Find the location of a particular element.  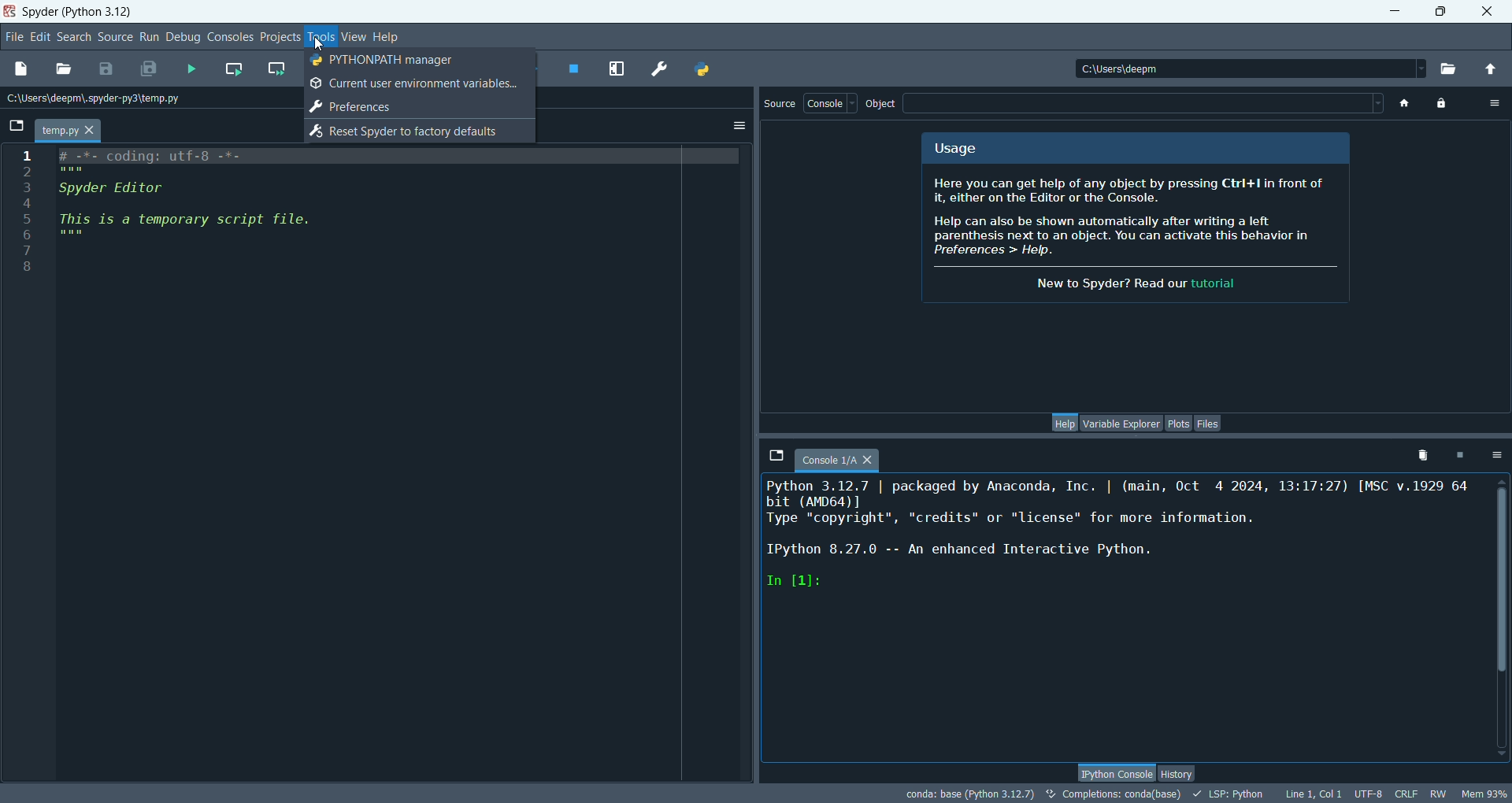

filesremove is located at coordinates (1417, 458).